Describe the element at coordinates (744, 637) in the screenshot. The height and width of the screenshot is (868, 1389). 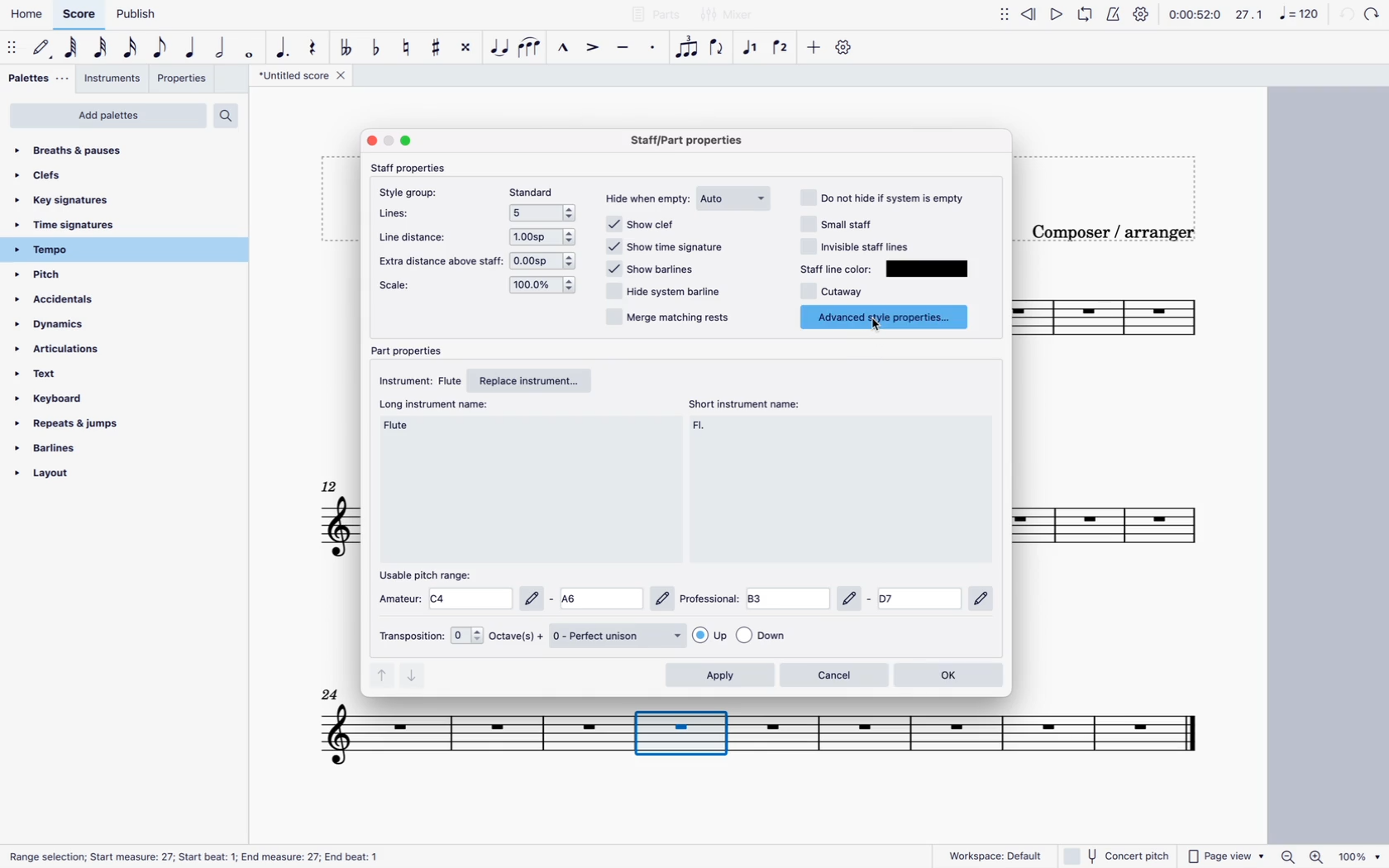
I see `options` at that location.